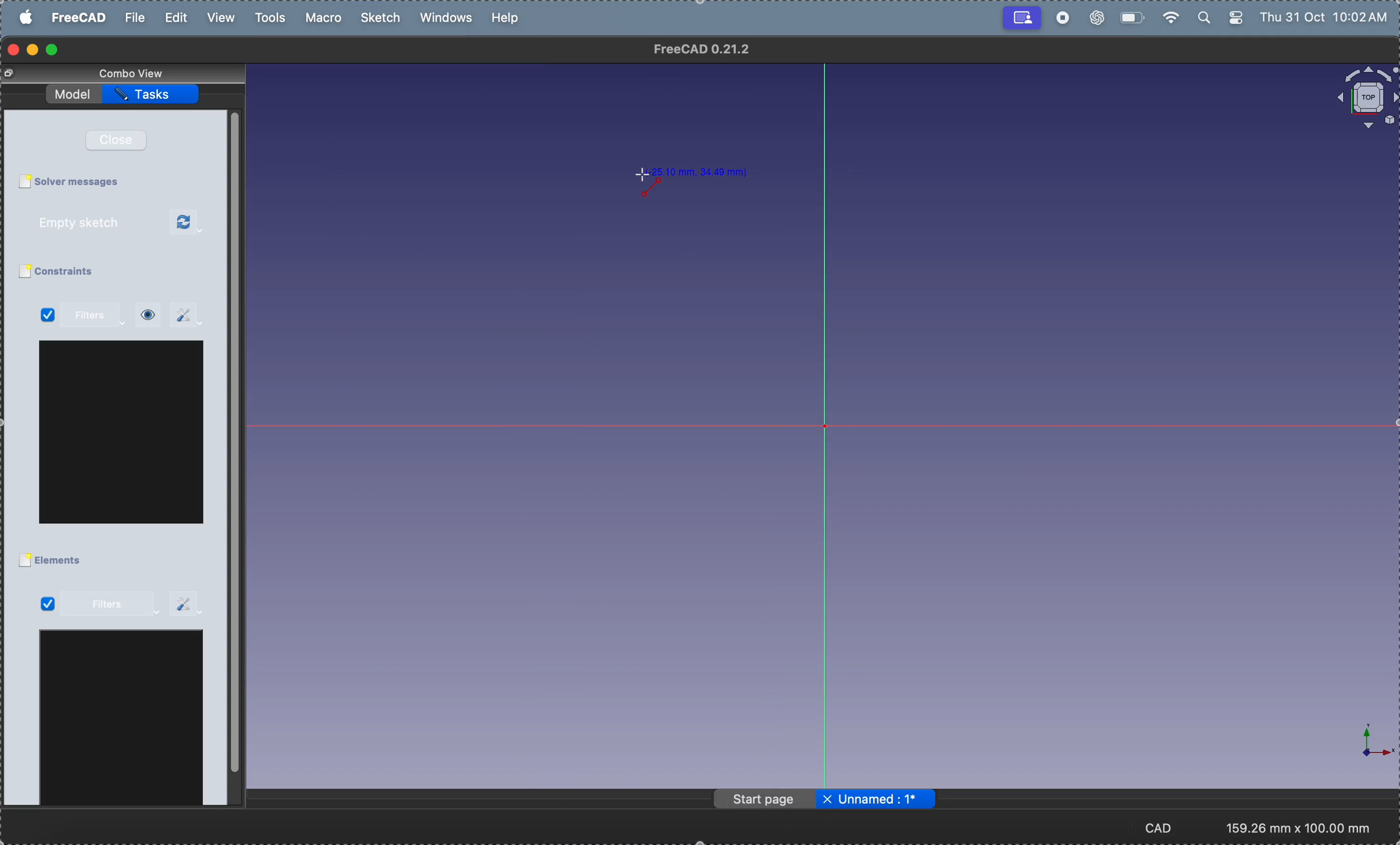  Describe the element at coordinates (82, 182) in the screenshot. I see `solver messages` at that location.